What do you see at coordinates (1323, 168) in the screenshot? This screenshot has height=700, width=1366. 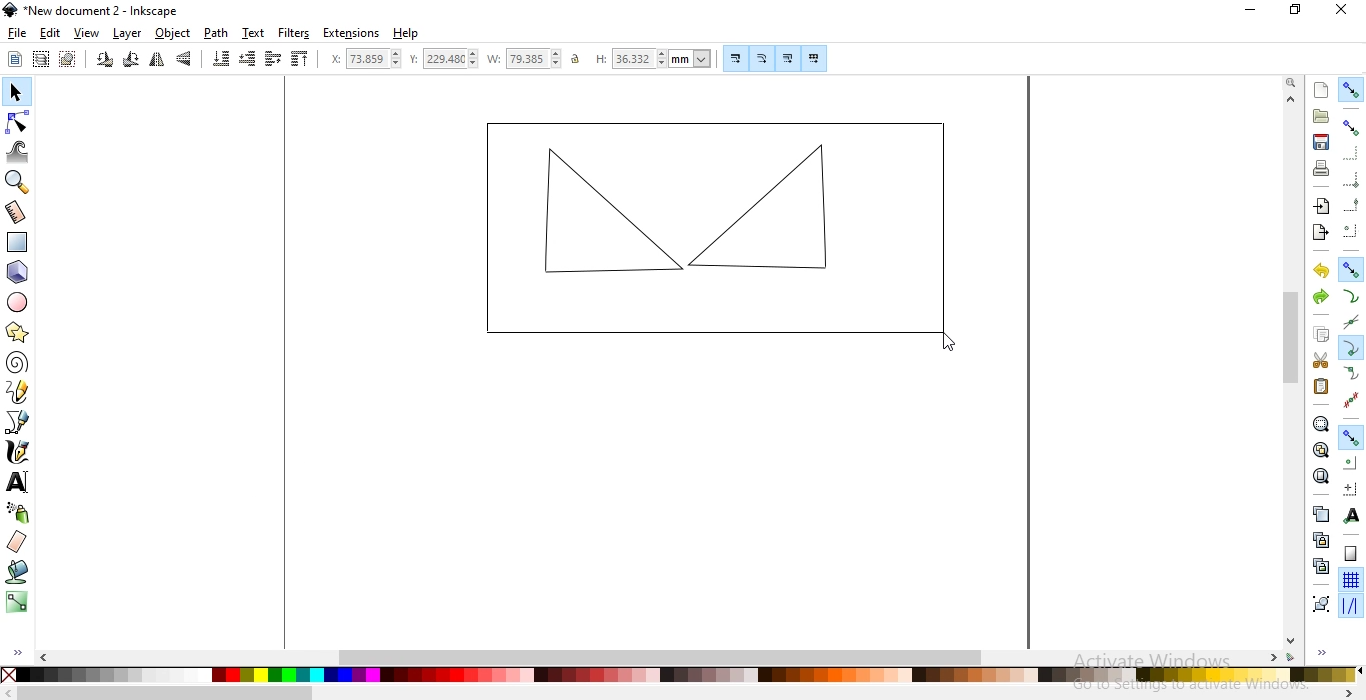 I see `print document` at bounding box center [1323, 168].